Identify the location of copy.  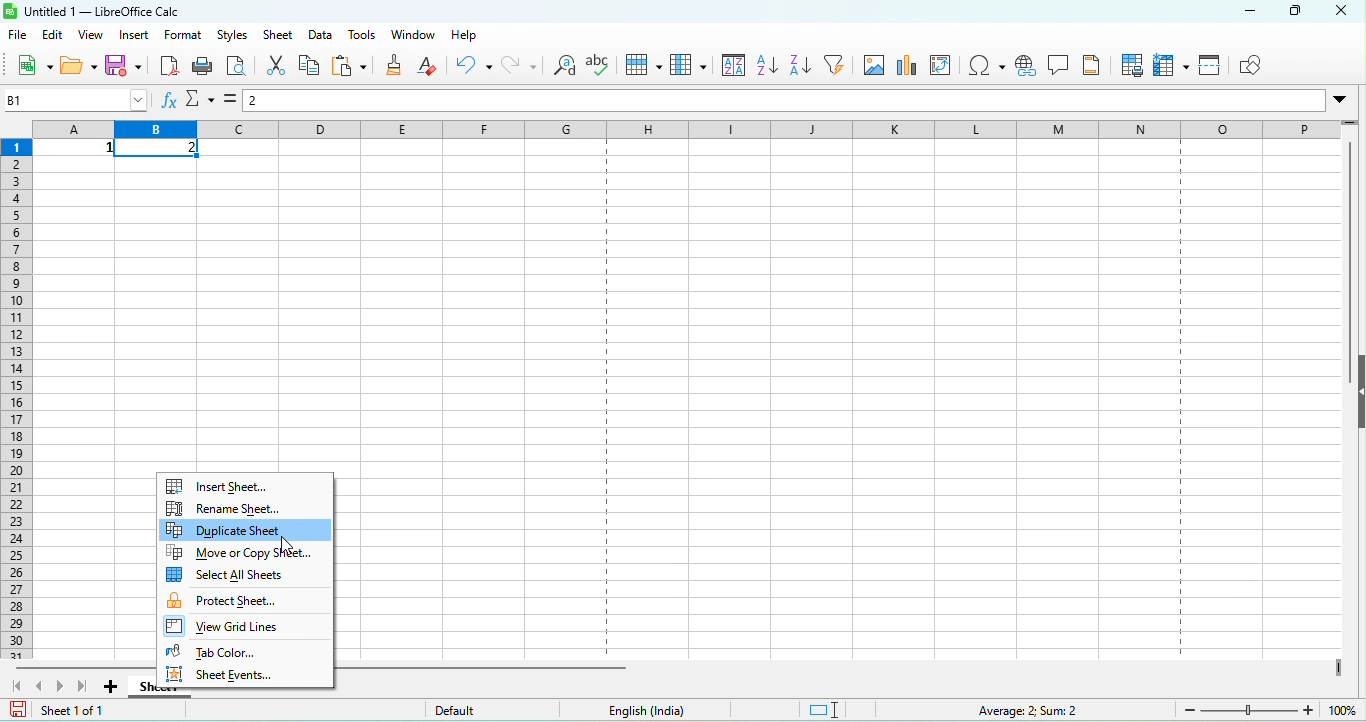
(308, 66).